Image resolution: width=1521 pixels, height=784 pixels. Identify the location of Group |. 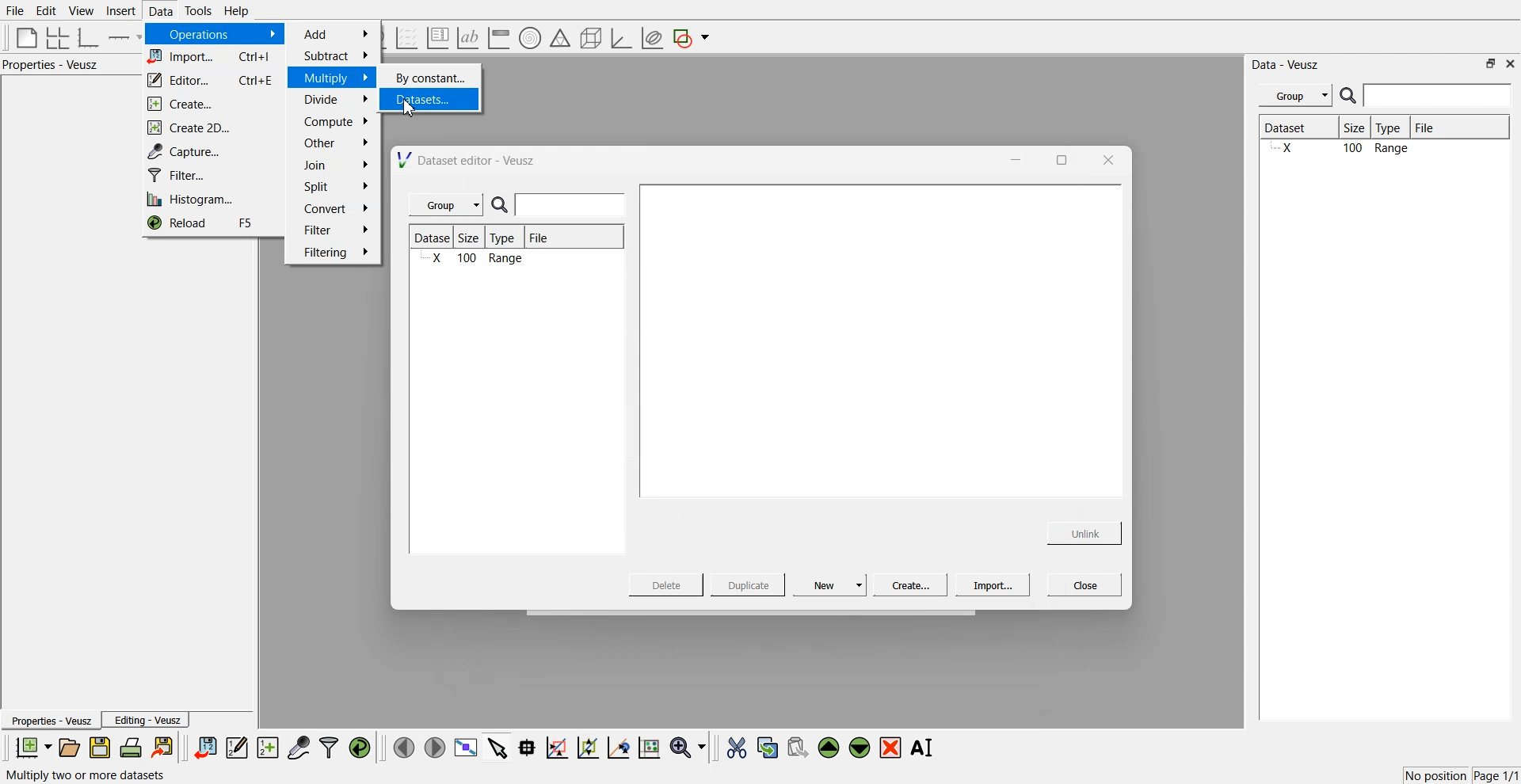
(448, 205).